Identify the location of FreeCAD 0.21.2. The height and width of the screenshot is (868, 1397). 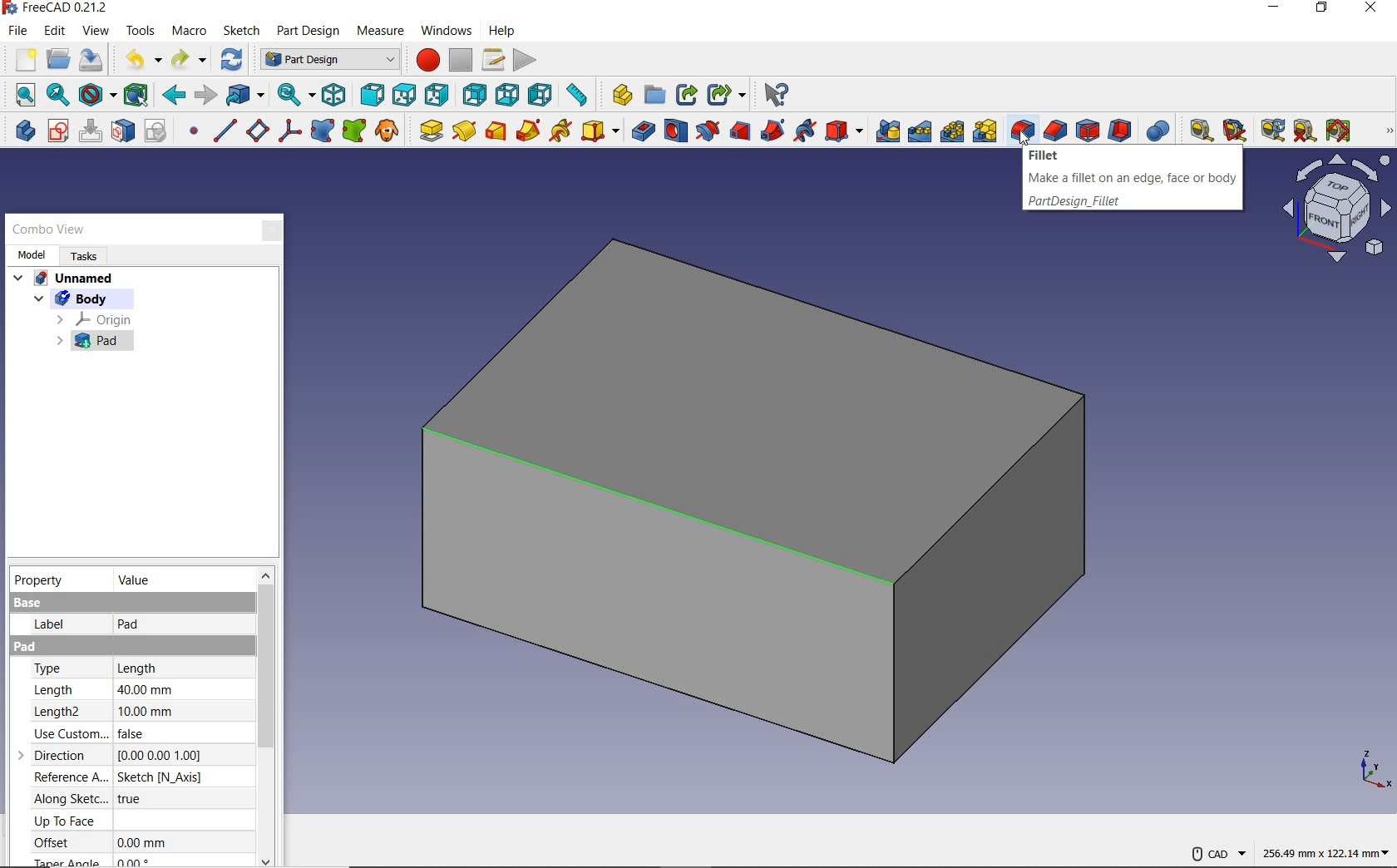
(58, 9).